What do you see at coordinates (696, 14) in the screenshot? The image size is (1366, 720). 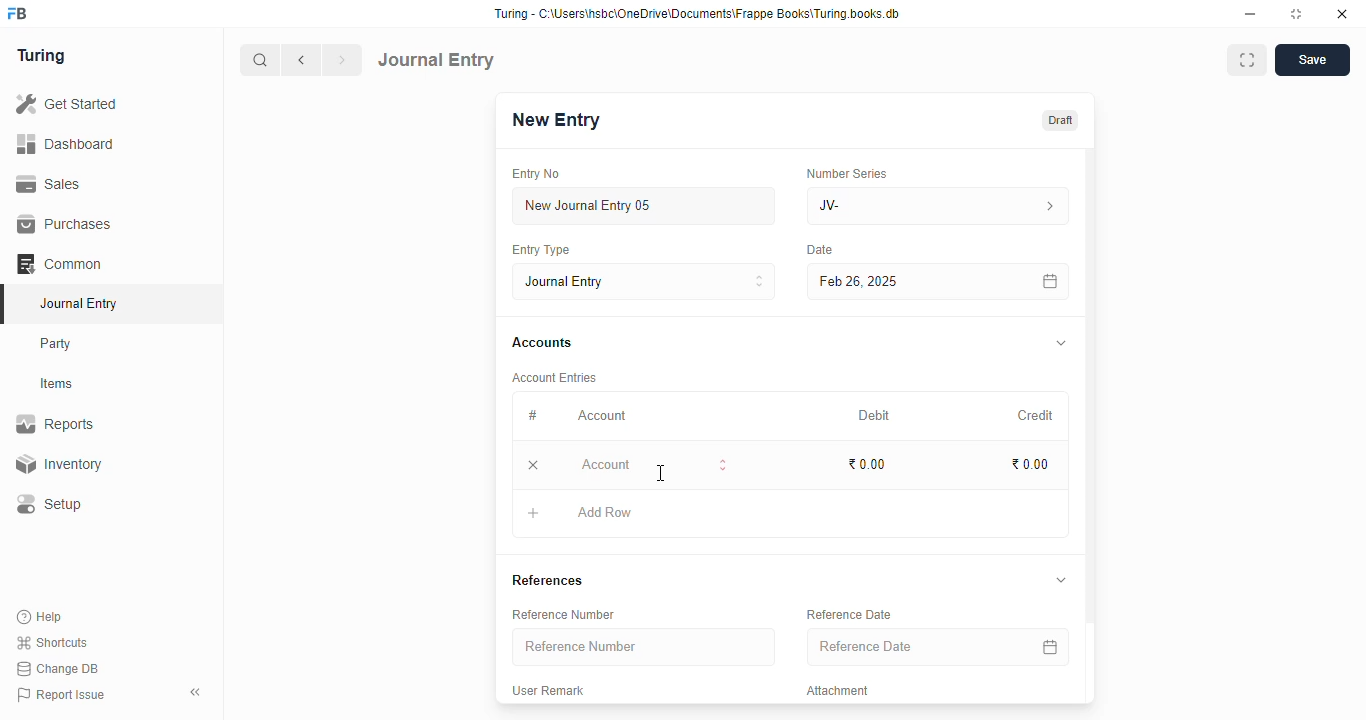 I see `Turing - C:\Users\hsbc\OneDrive\Documents\Frappe Books\Turing books.db` at bounding box center [696, 14].